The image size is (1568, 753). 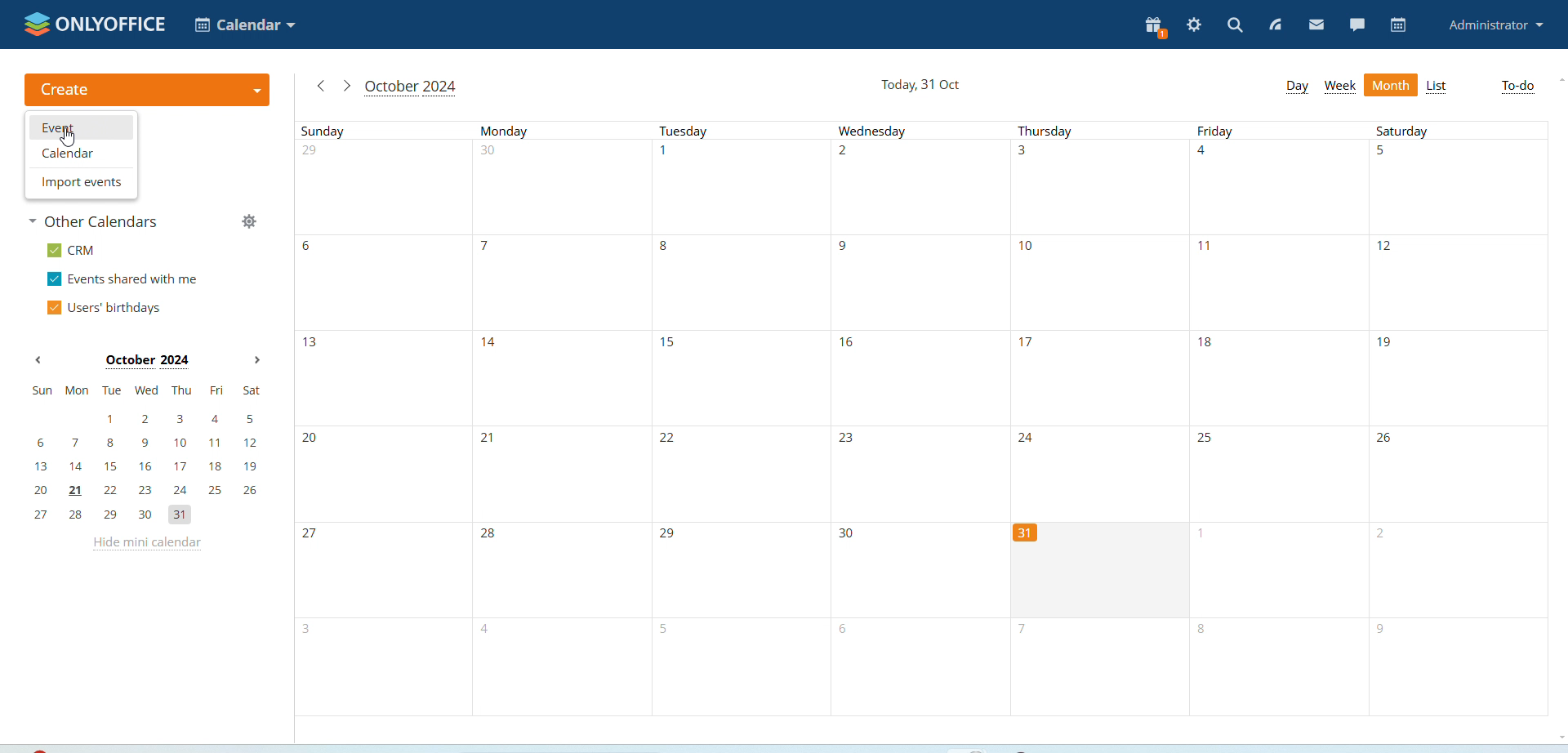 What do you see at coordinates (1565, 737) in the screenshot?
I see `scroll down` at bounding box center [1565, 737].